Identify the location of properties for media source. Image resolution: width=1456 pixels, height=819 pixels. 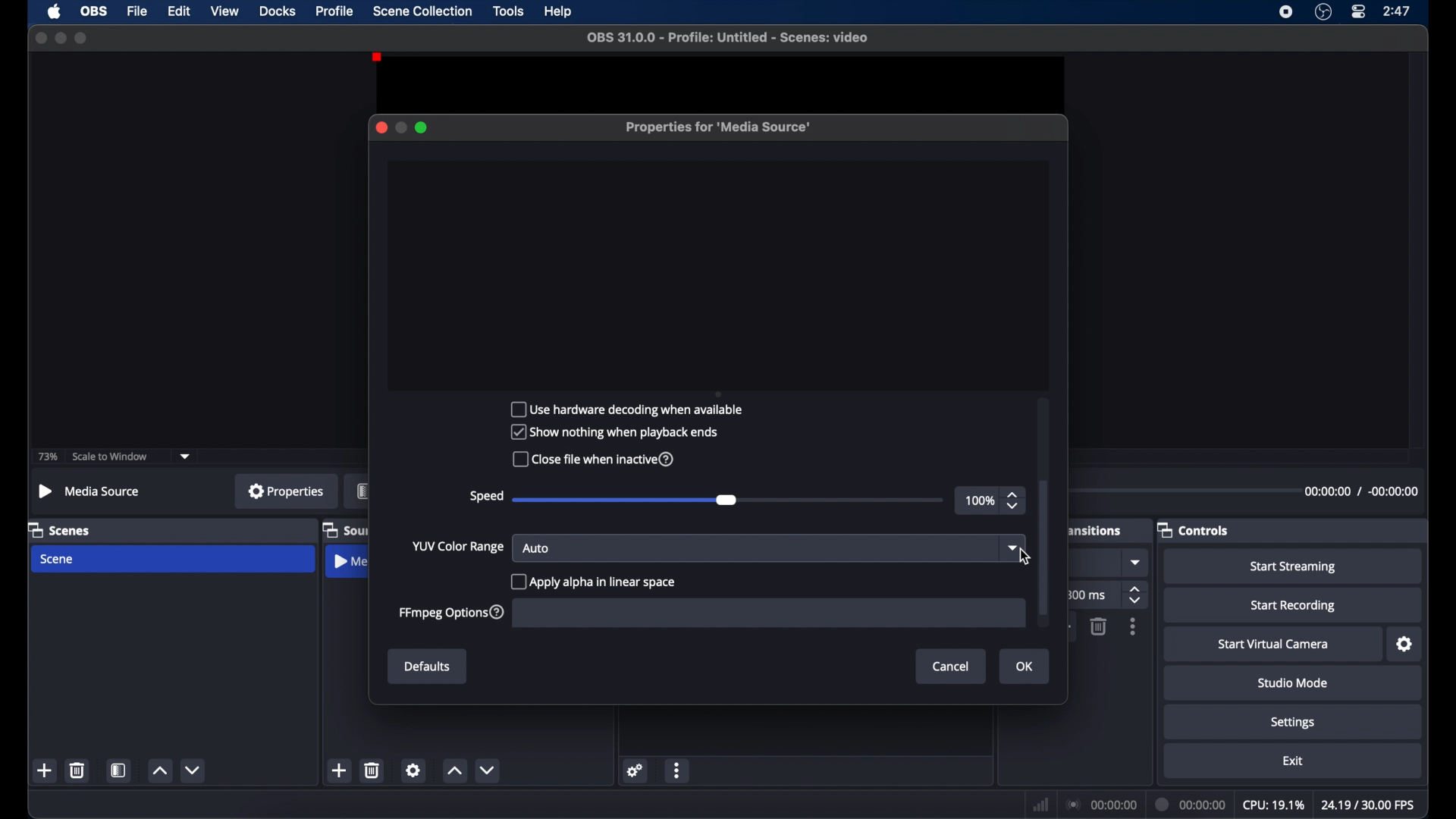
(720, 127).